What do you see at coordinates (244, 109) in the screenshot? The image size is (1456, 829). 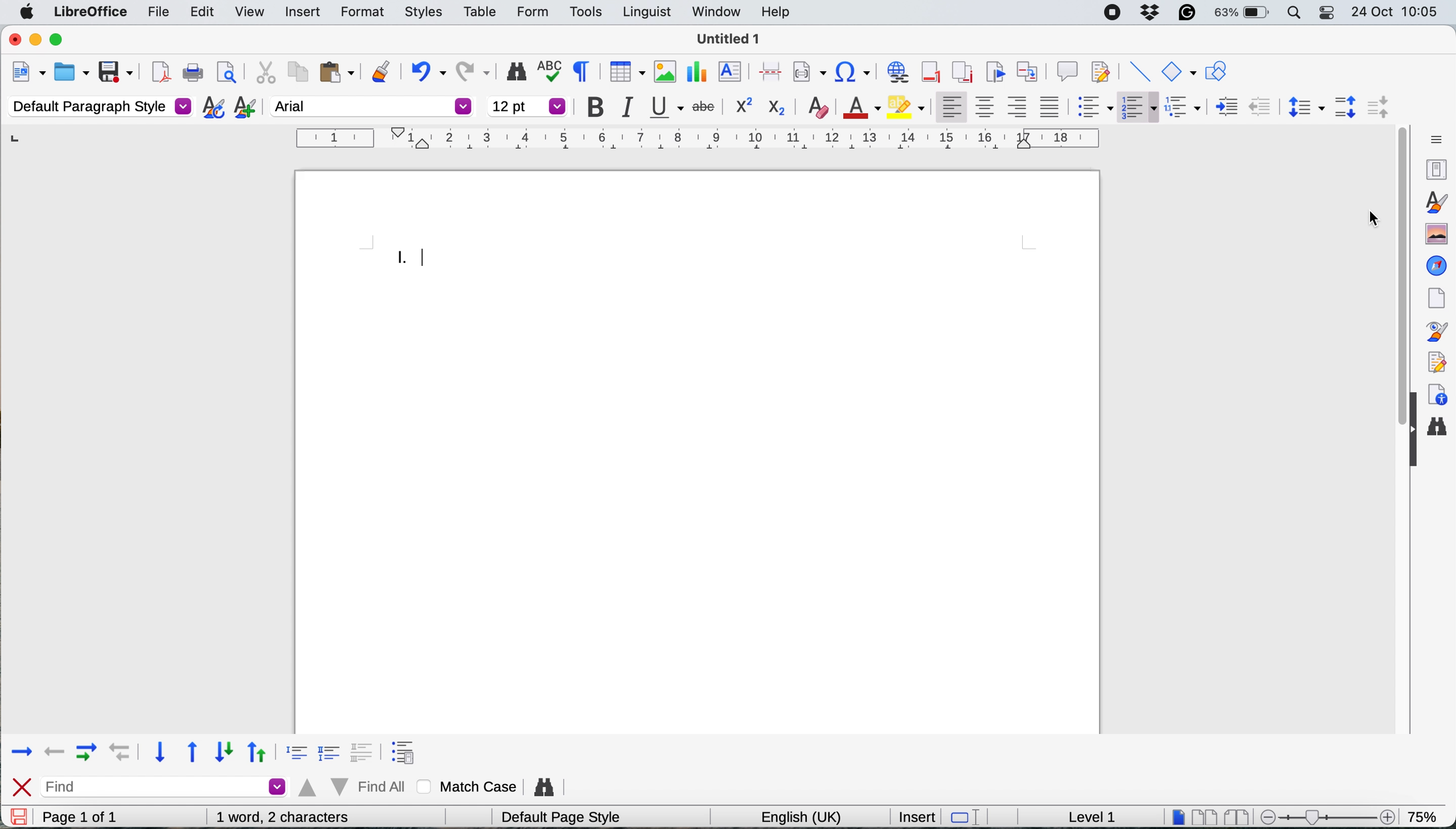 I see `add new style` at bounding box center [244, 109].